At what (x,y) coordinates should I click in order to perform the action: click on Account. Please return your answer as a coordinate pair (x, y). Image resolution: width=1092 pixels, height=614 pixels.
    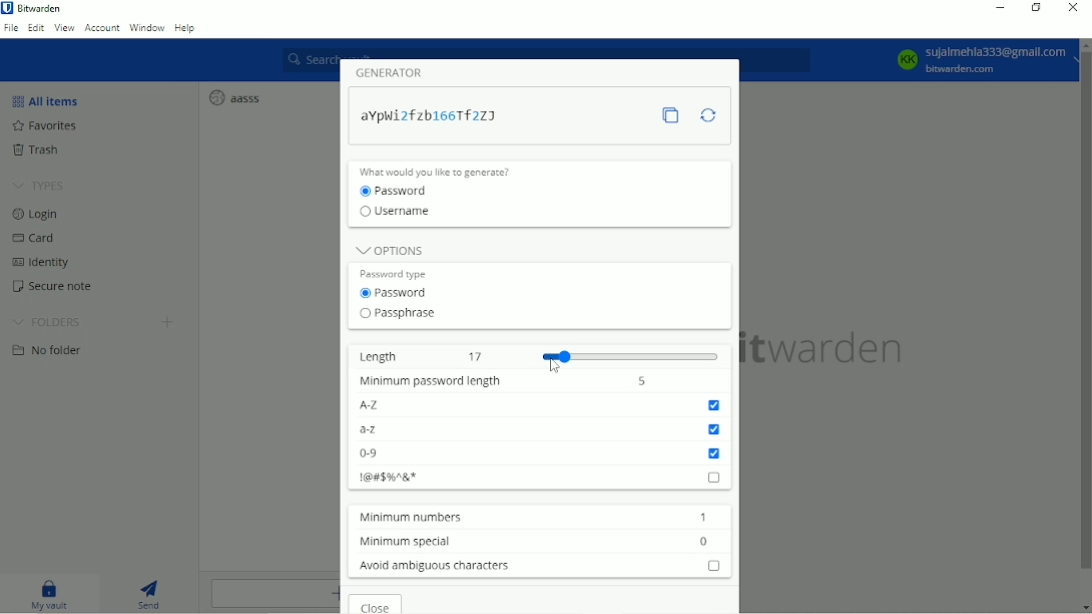
    Looking at the image, I should click on (101, 28).